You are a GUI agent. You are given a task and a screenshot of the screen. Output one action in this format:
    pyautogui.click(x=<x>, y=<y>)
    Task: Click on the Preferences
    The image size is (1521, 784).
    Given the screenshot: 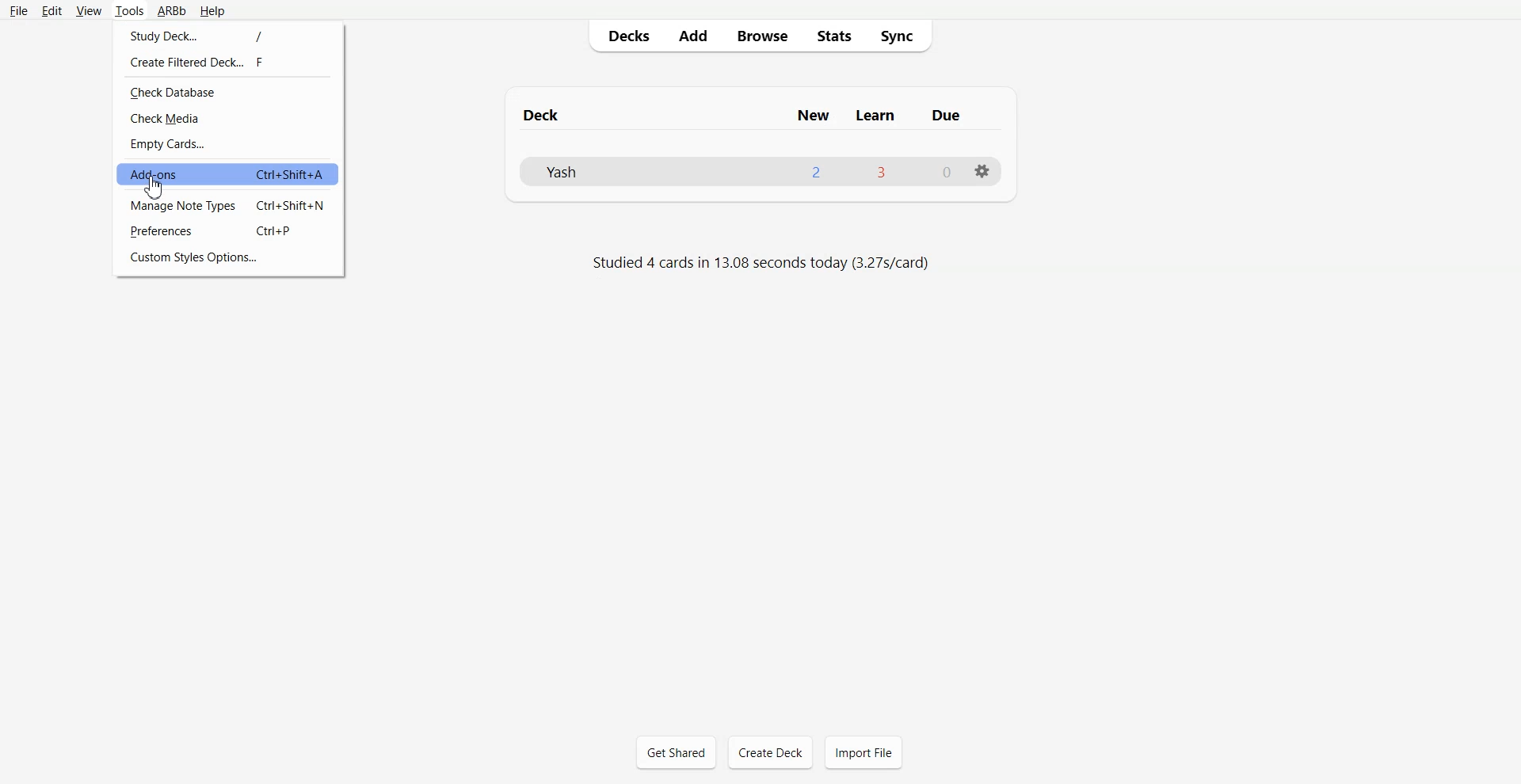 What is the action you would take?
    pyautogui.click(x=231, y=230)
    